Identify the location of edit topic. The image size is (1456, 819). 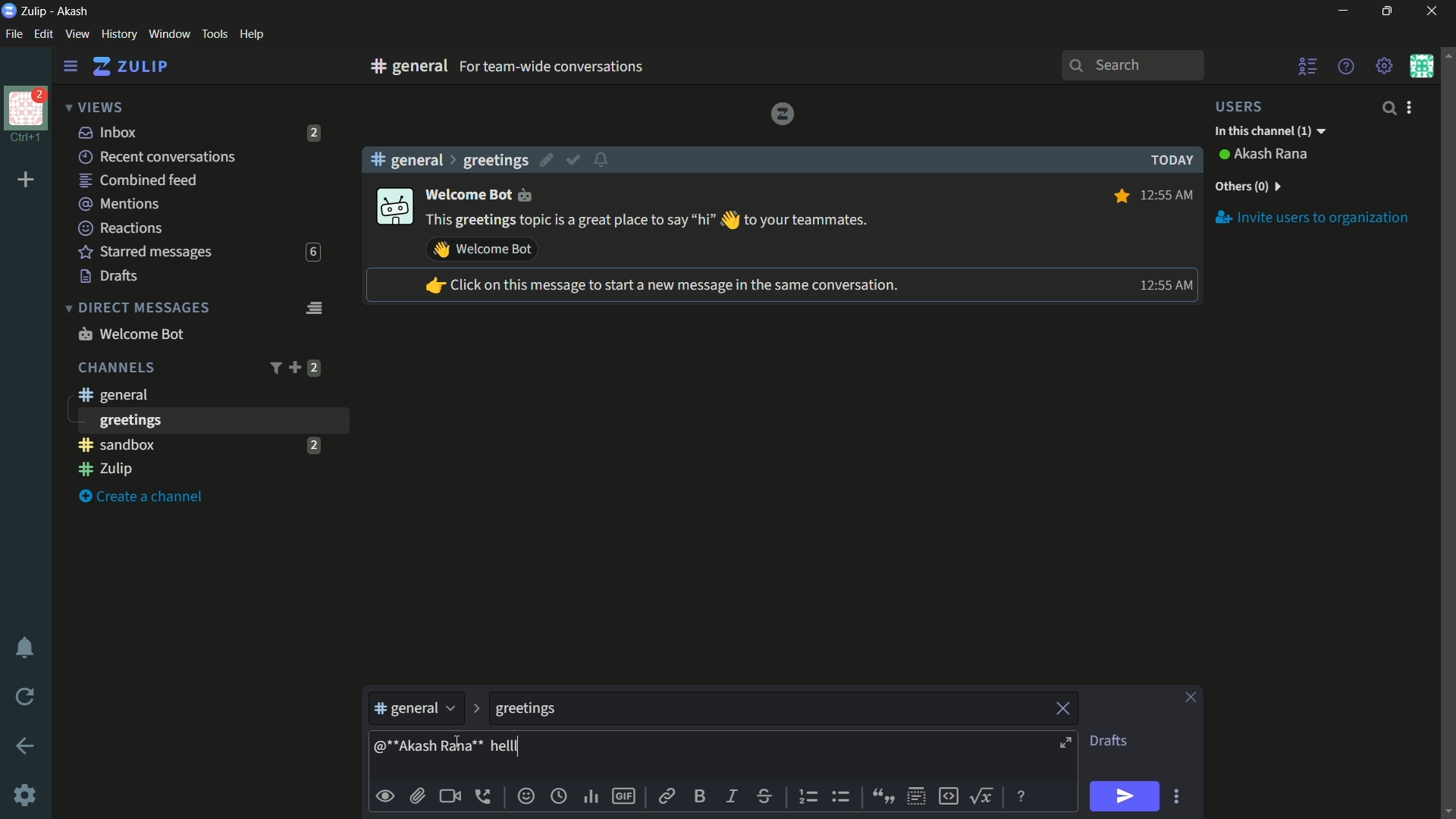
(548, 162).